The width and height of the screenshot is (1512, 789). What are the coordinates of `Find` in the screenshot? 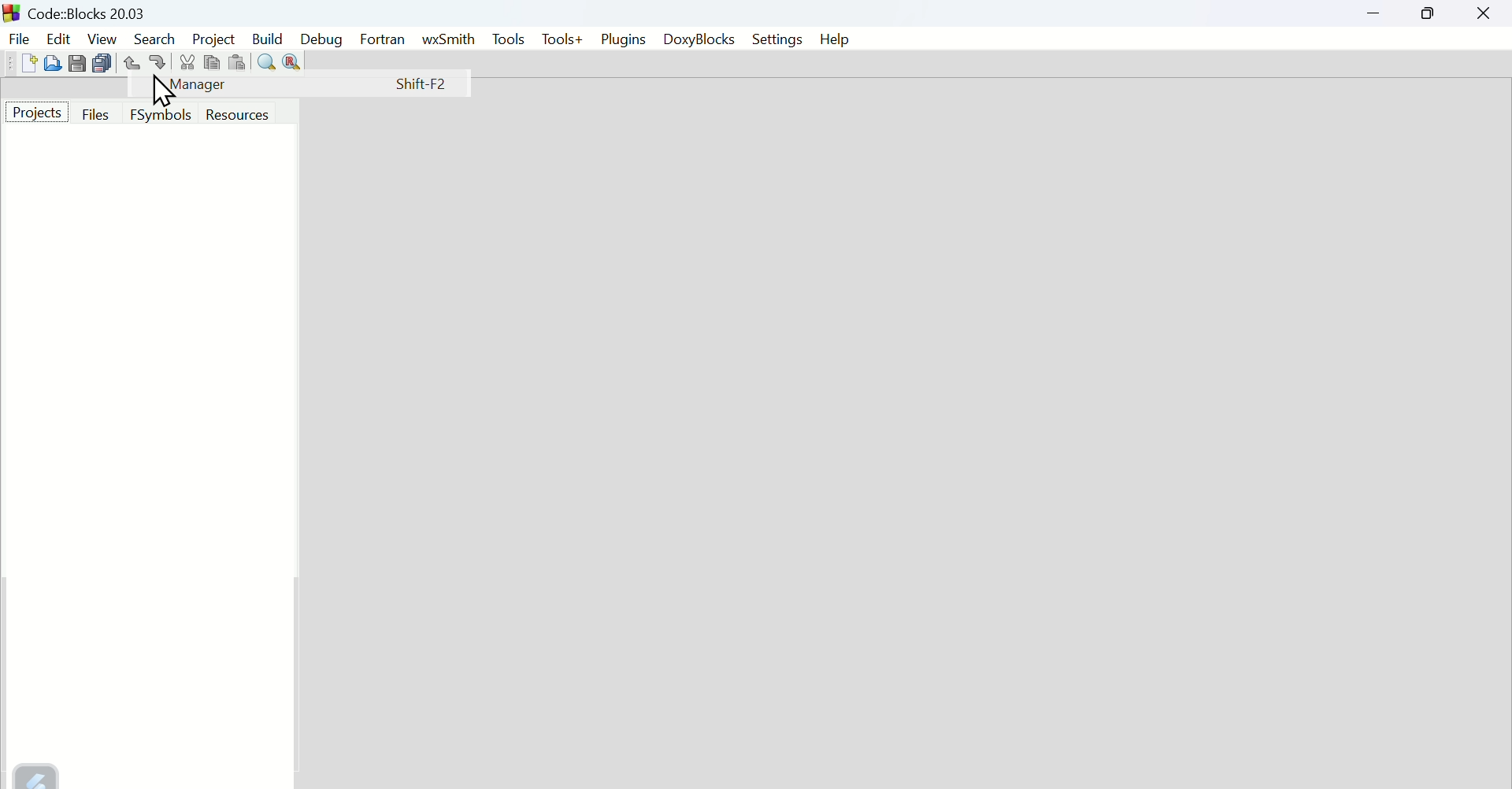 It's located at (265, 61).